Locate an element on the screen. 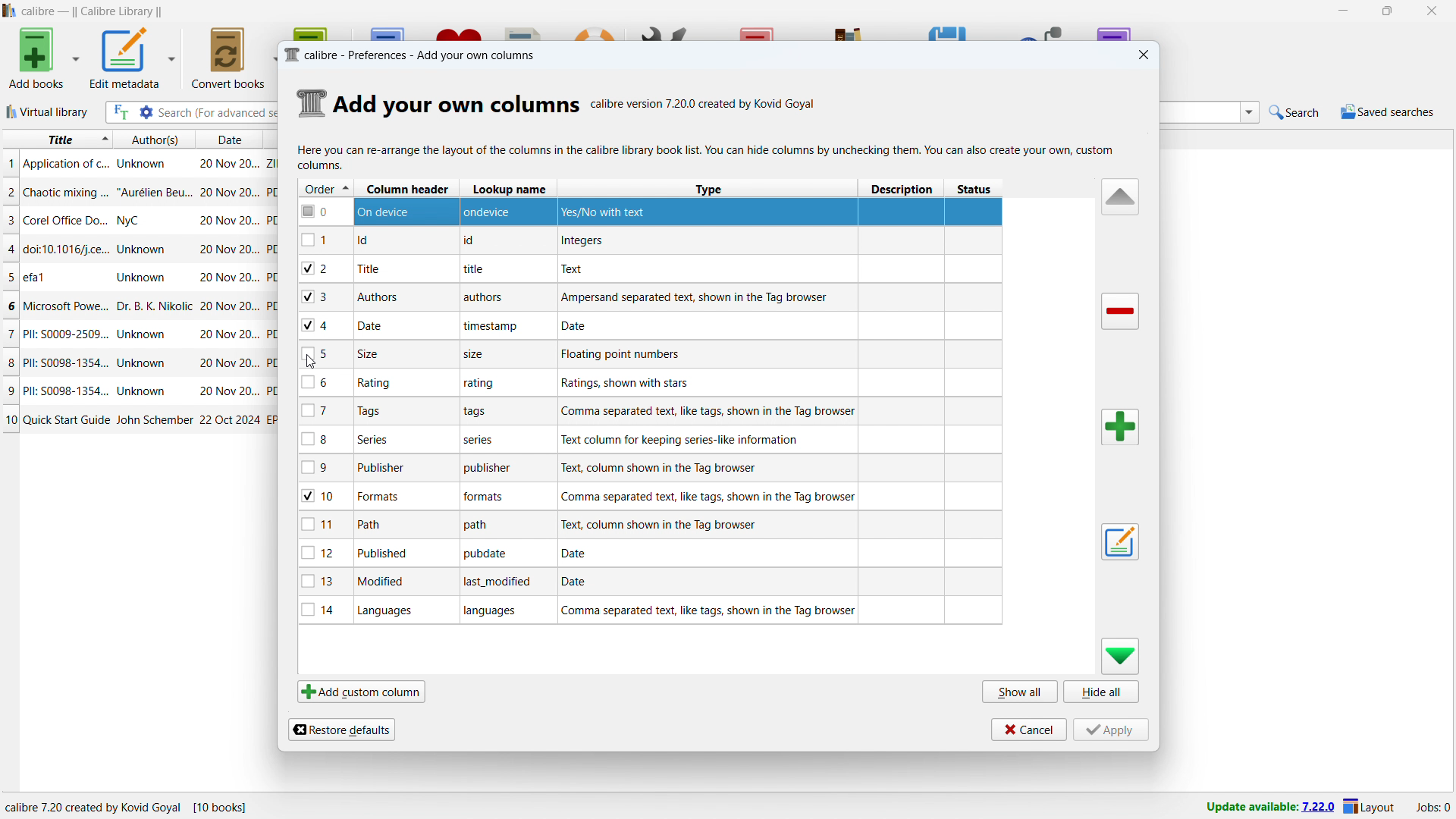 The height and width of the screenshot is (819, 1456). title is located at coordinates (67, 419).